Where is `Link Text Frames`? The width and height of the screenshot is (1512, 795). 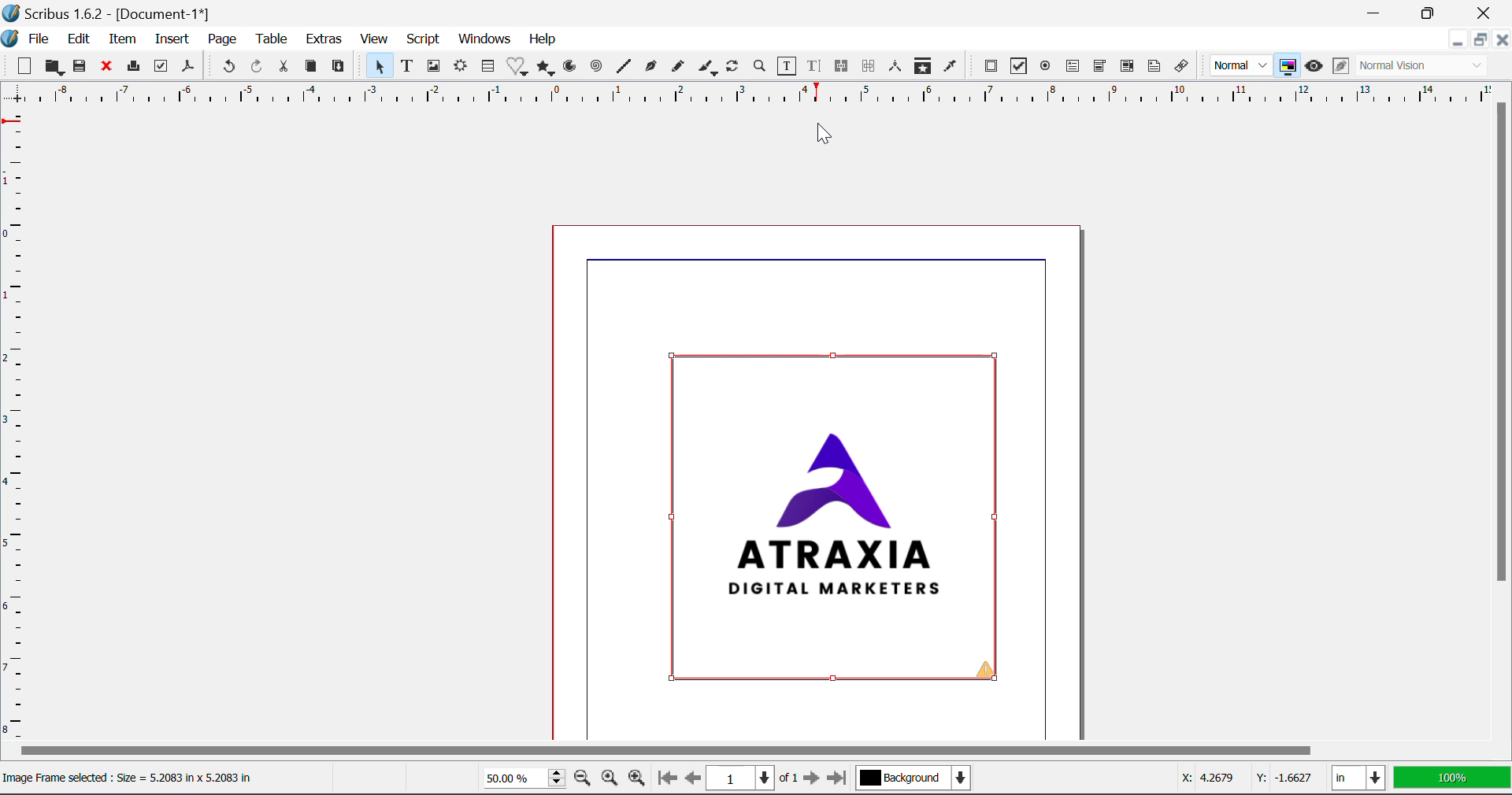
Link Text Frames is located at coordinates (843, 67).